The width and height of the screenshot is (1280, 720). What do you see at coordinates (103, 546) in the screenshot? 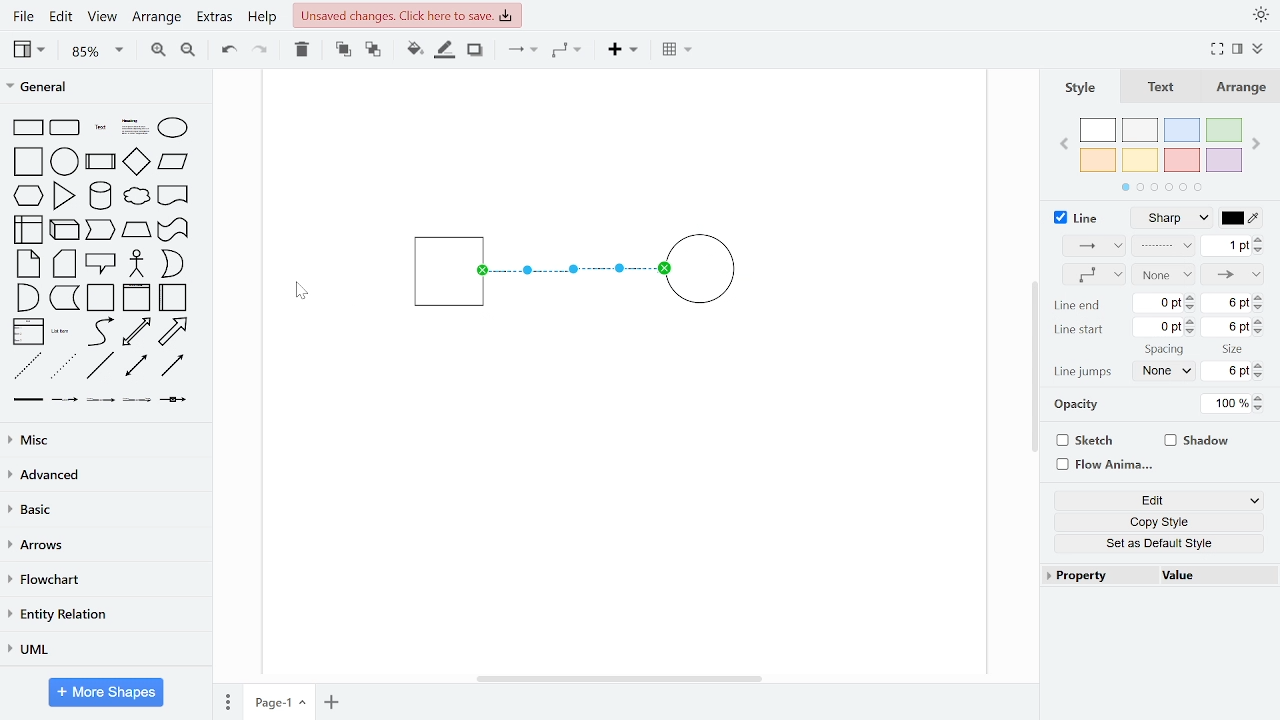
I see `arrows` at bounding box center [103, 546].